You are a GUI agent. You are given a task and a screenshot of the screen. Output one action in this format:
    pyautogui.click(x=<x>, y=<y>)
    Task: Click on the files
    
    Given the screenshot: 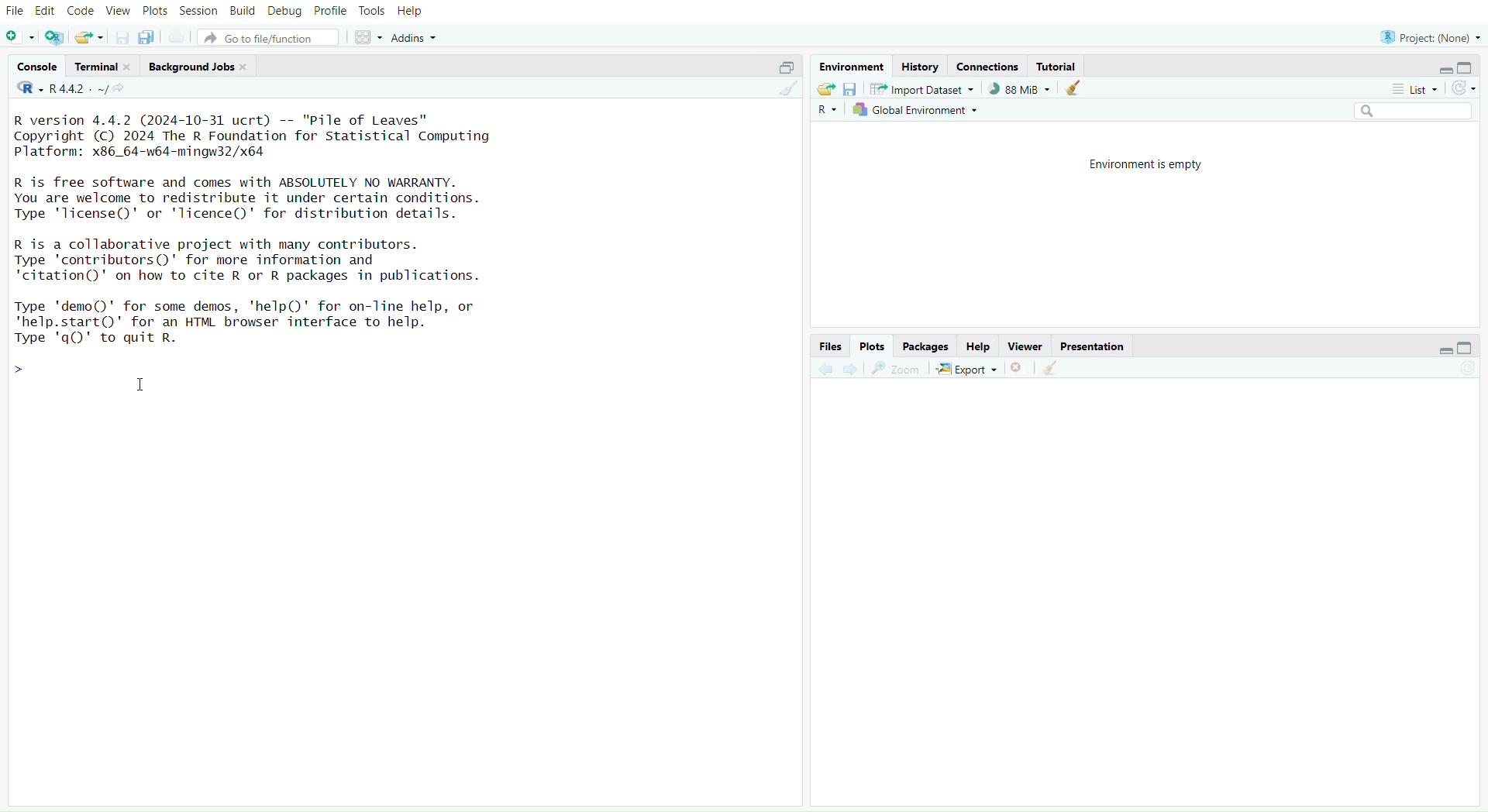 What is the action you would take?
    pyautogui.click(x=827, y=346)
    